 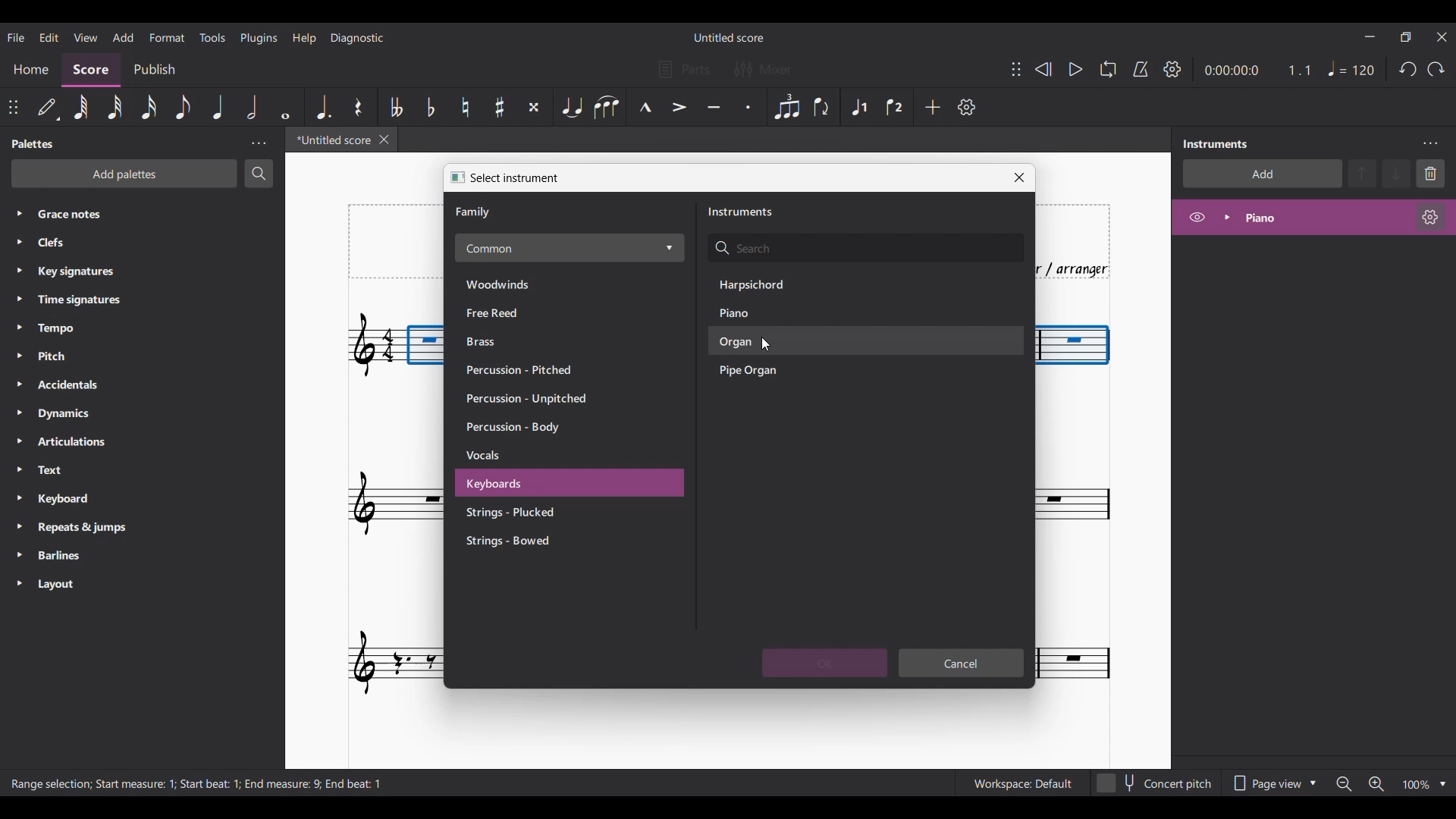 I want to click on /arranger, so click(x=1082, y=268).